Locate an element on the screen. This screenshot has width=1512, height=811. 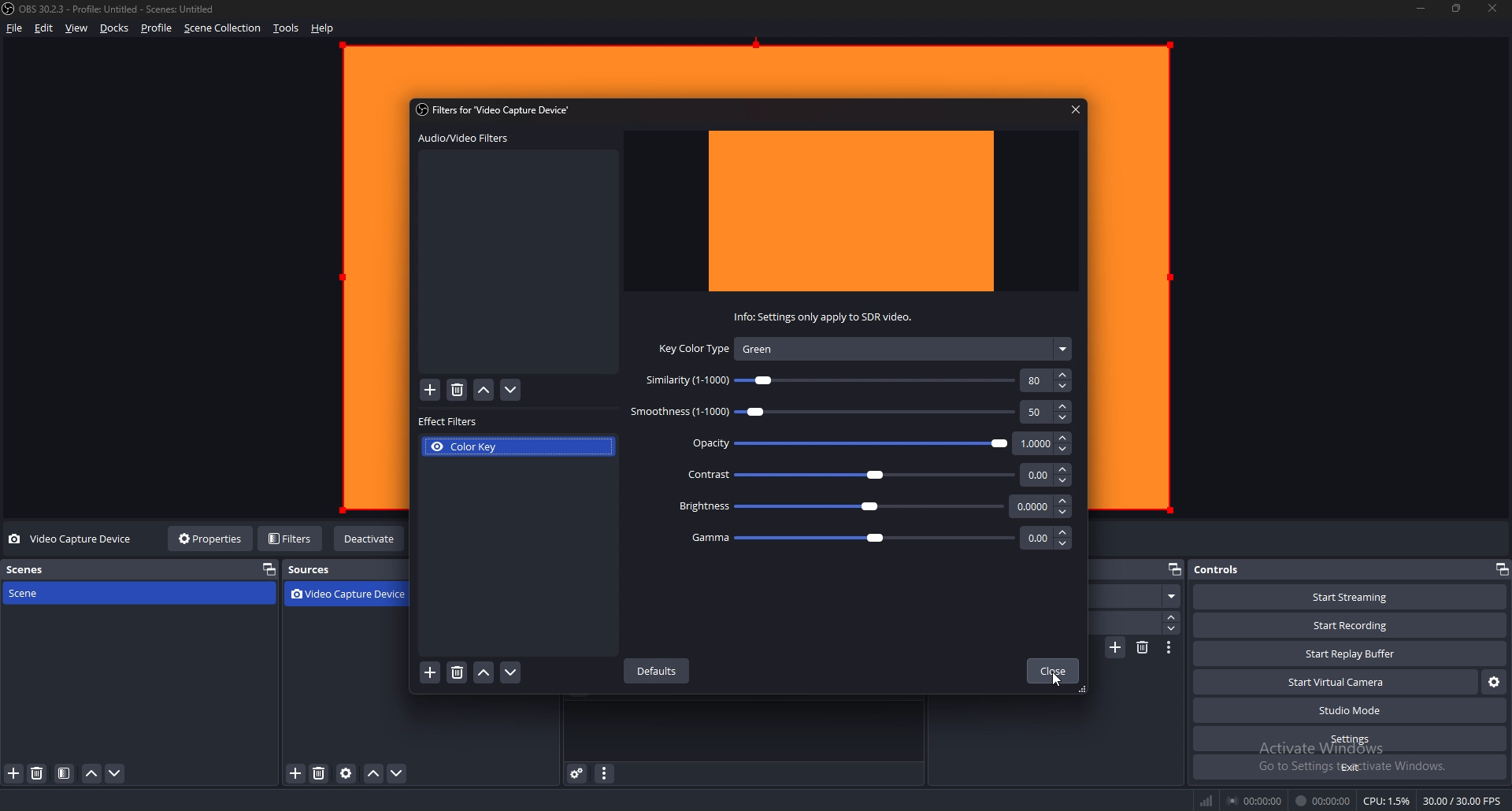
filter is located at coordinates (65, 774).